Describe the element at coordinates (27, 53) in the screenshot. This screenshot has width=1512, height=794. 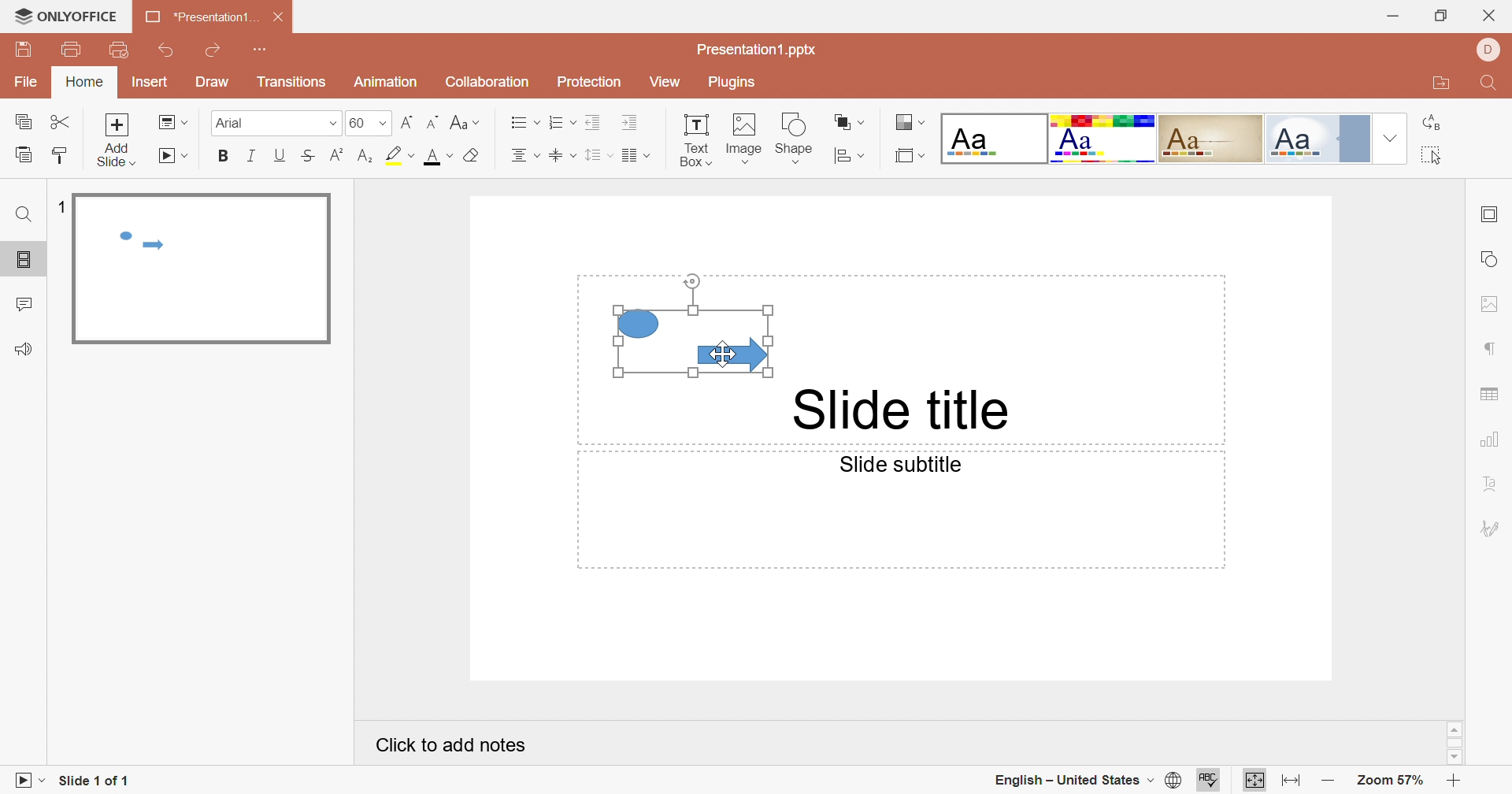
I see `Save` at that location.